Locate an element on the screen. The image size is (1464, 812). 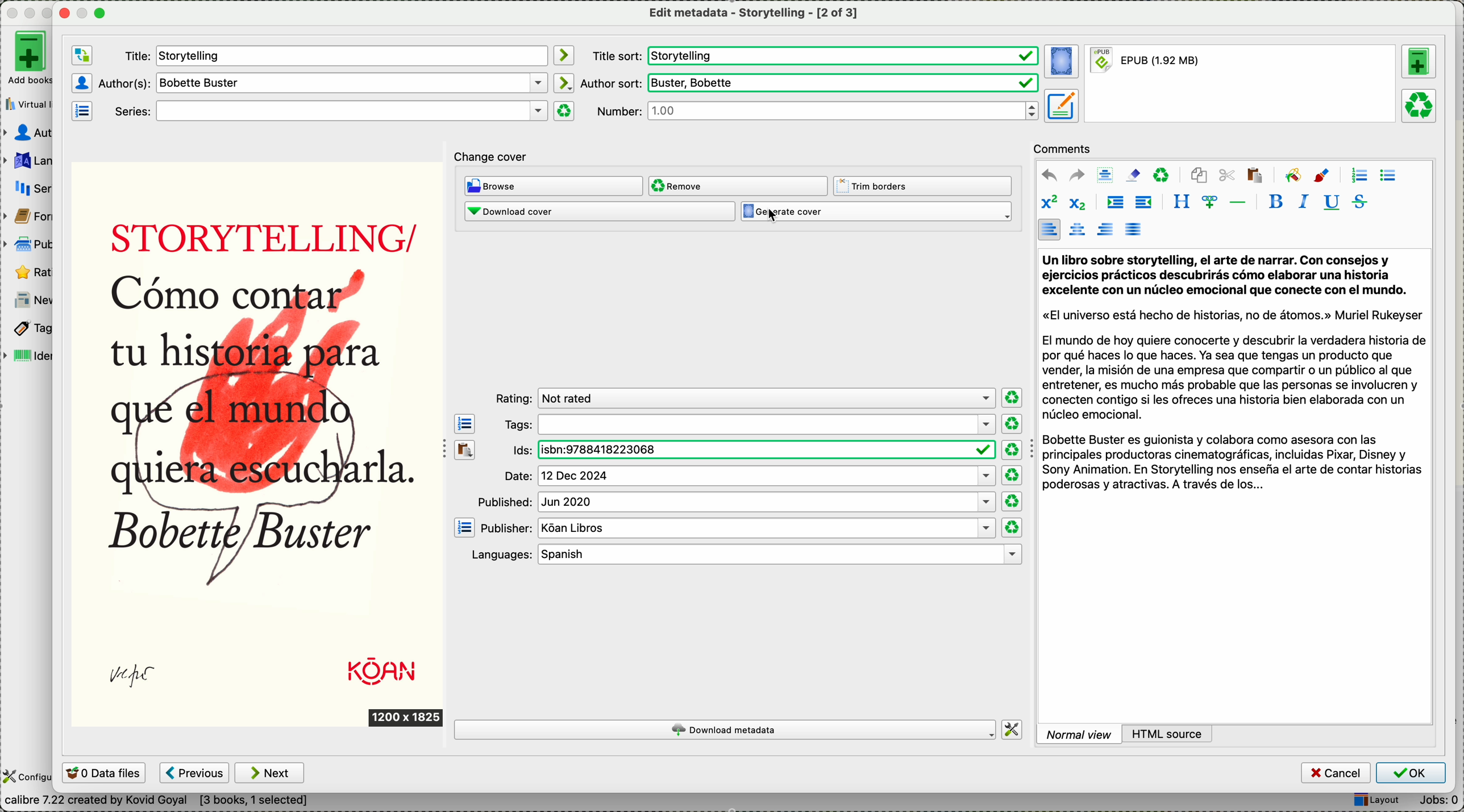
download cover is located at coordinates (598, 213).